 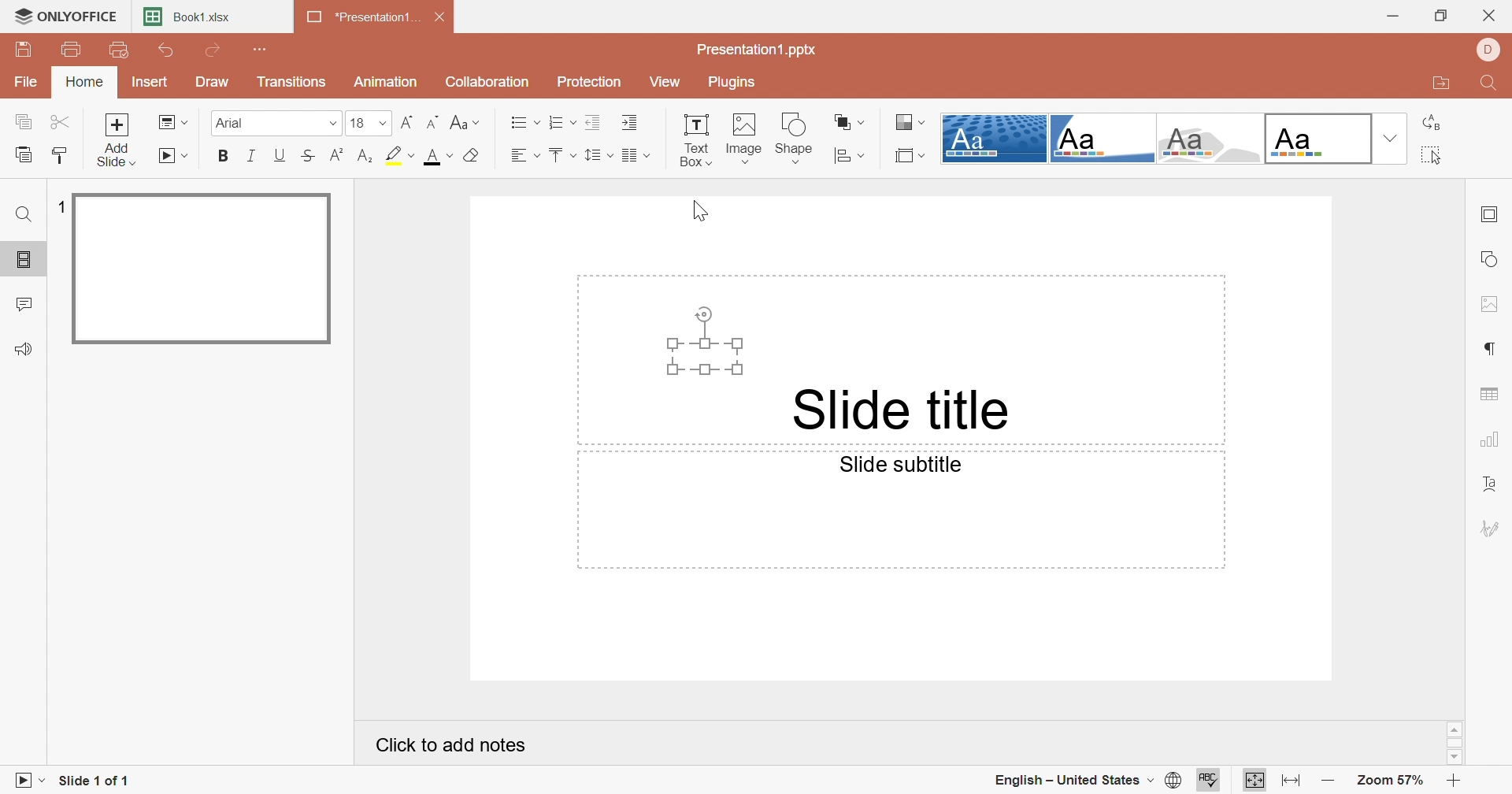 What do you see at coordinates (169, 52) in the screenshot?
I see `Undo` at bounding box center [169, 52].